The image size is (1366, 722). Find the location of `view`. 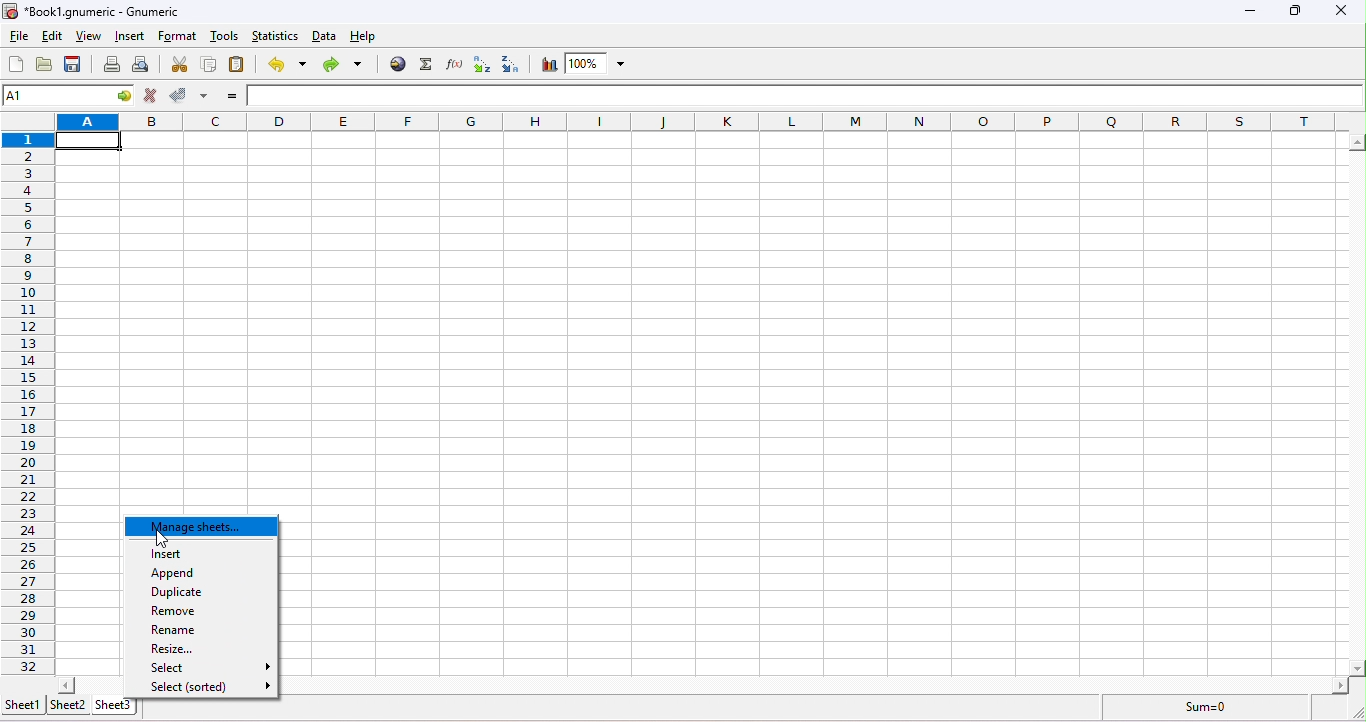

view is located at coordinates (87, 36).